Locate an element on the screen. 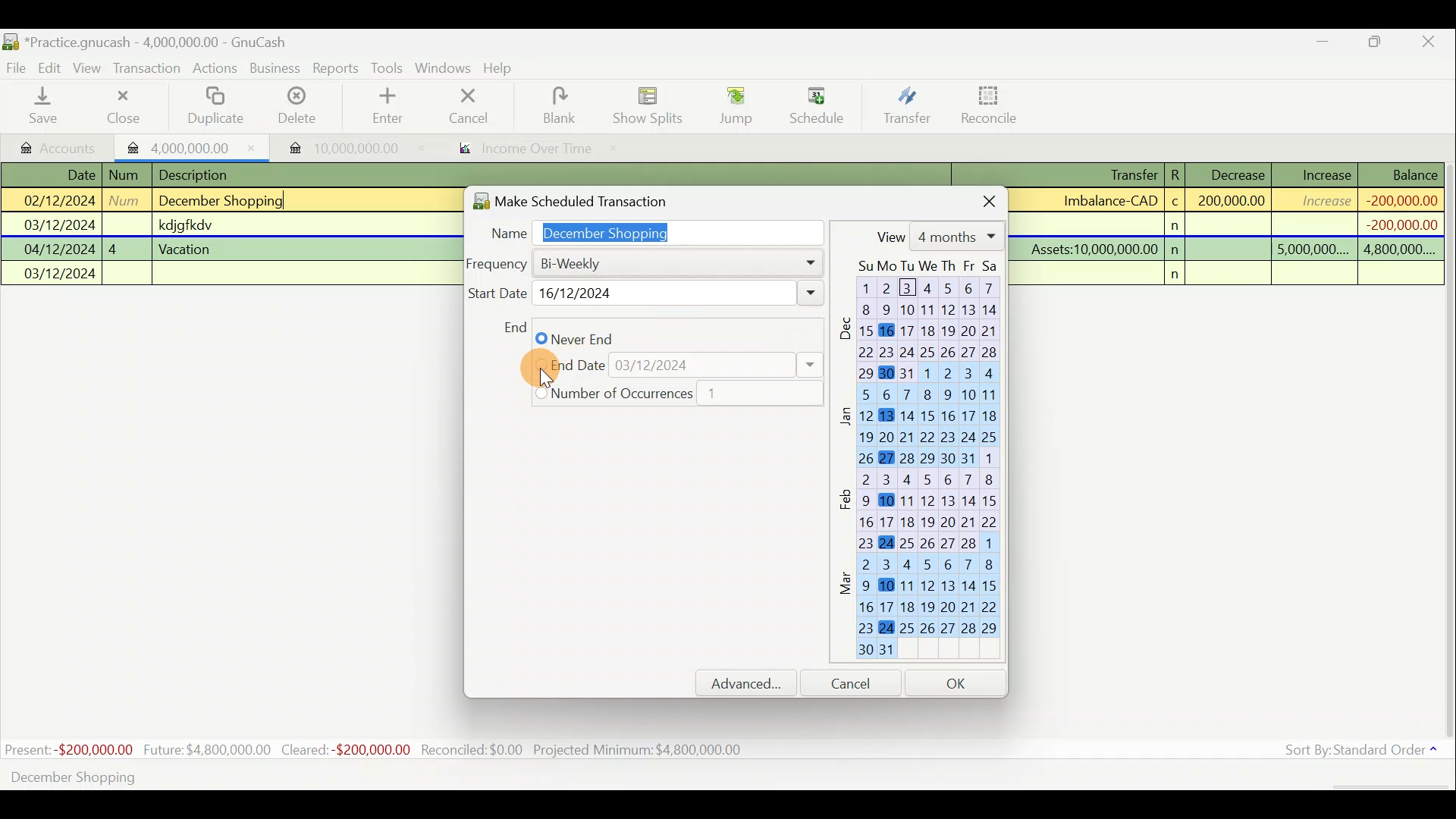 This screenshot has width=1456, height=819. Report is located at coordinates (520, 150).